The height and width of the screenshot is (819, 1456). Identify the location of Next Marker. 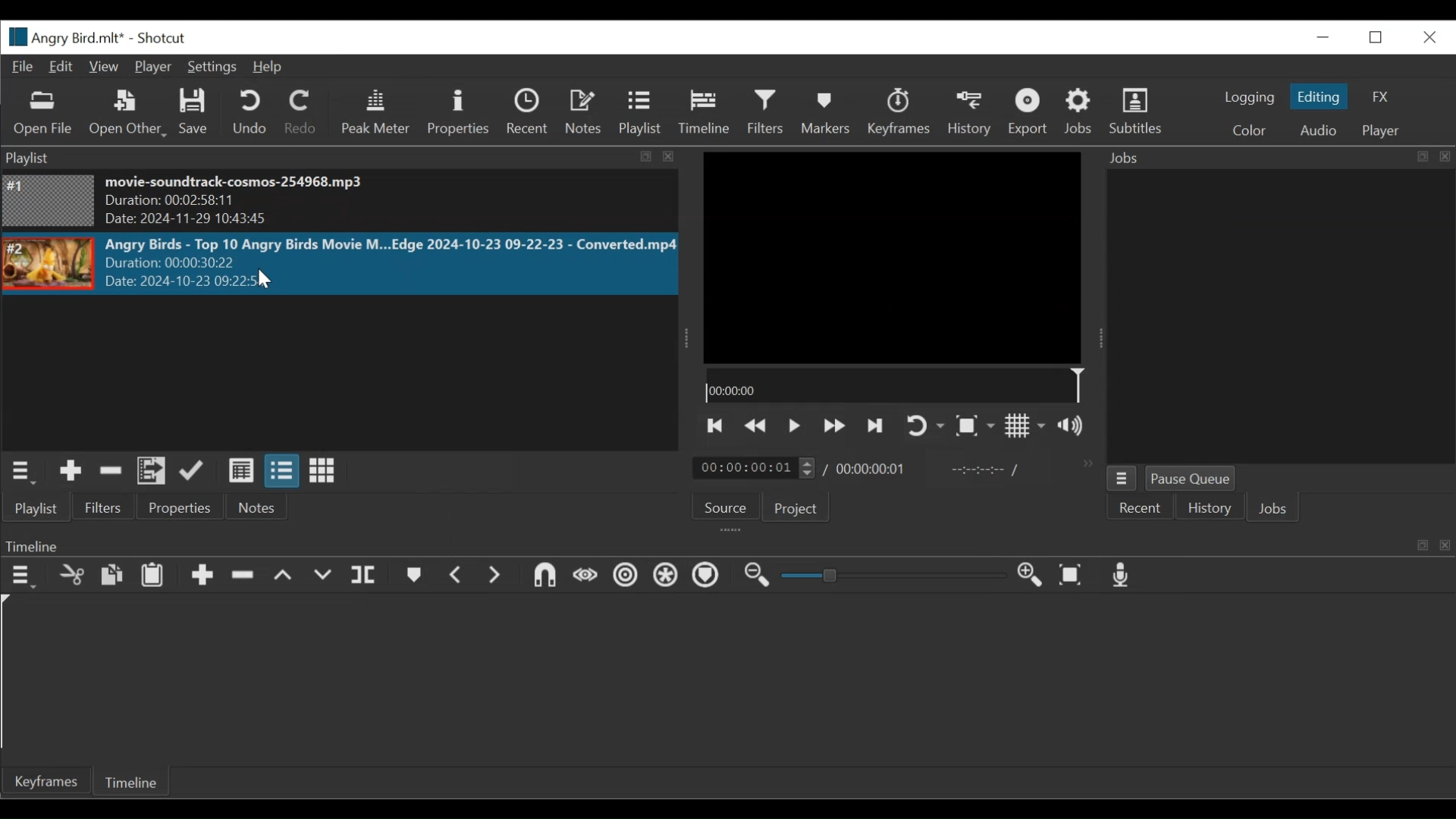
(492, 576).